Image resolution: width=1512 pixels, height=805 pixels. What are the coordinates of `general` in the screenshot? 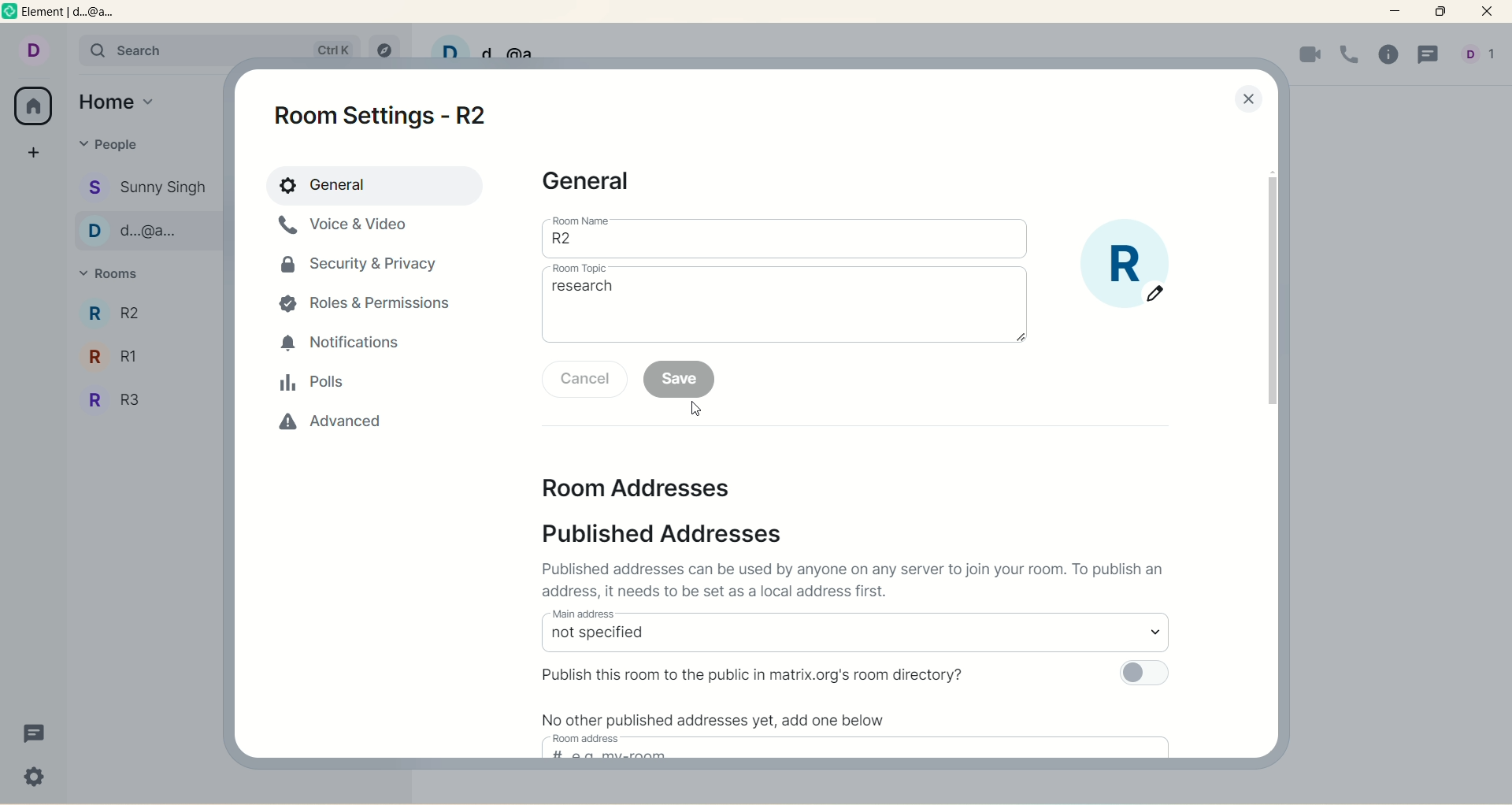 It's located at (592, 183).